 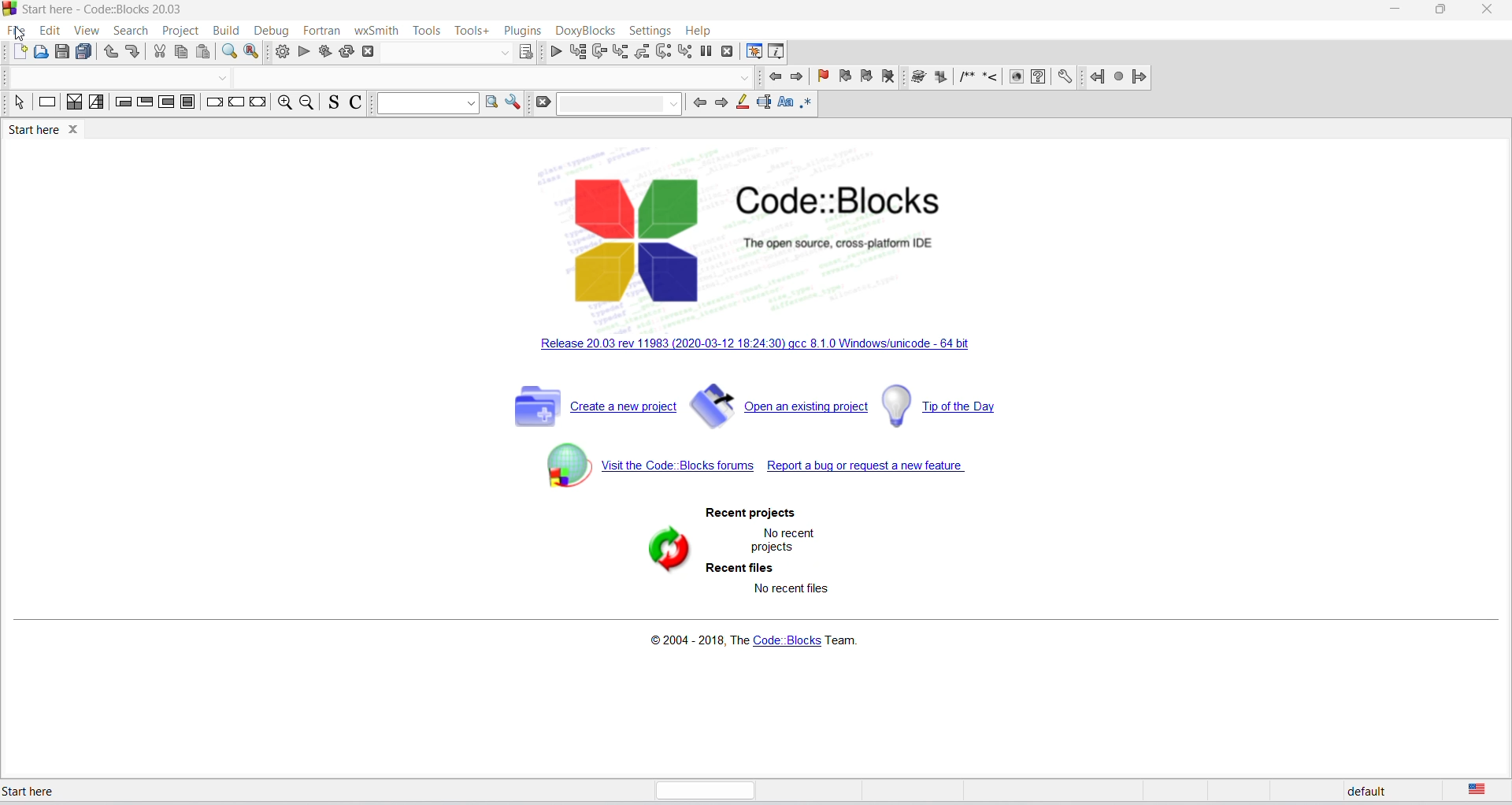 What do you see at coordinates (745, 513) in the screenshot?
I see `recent project` at bounding box center [745, 513].